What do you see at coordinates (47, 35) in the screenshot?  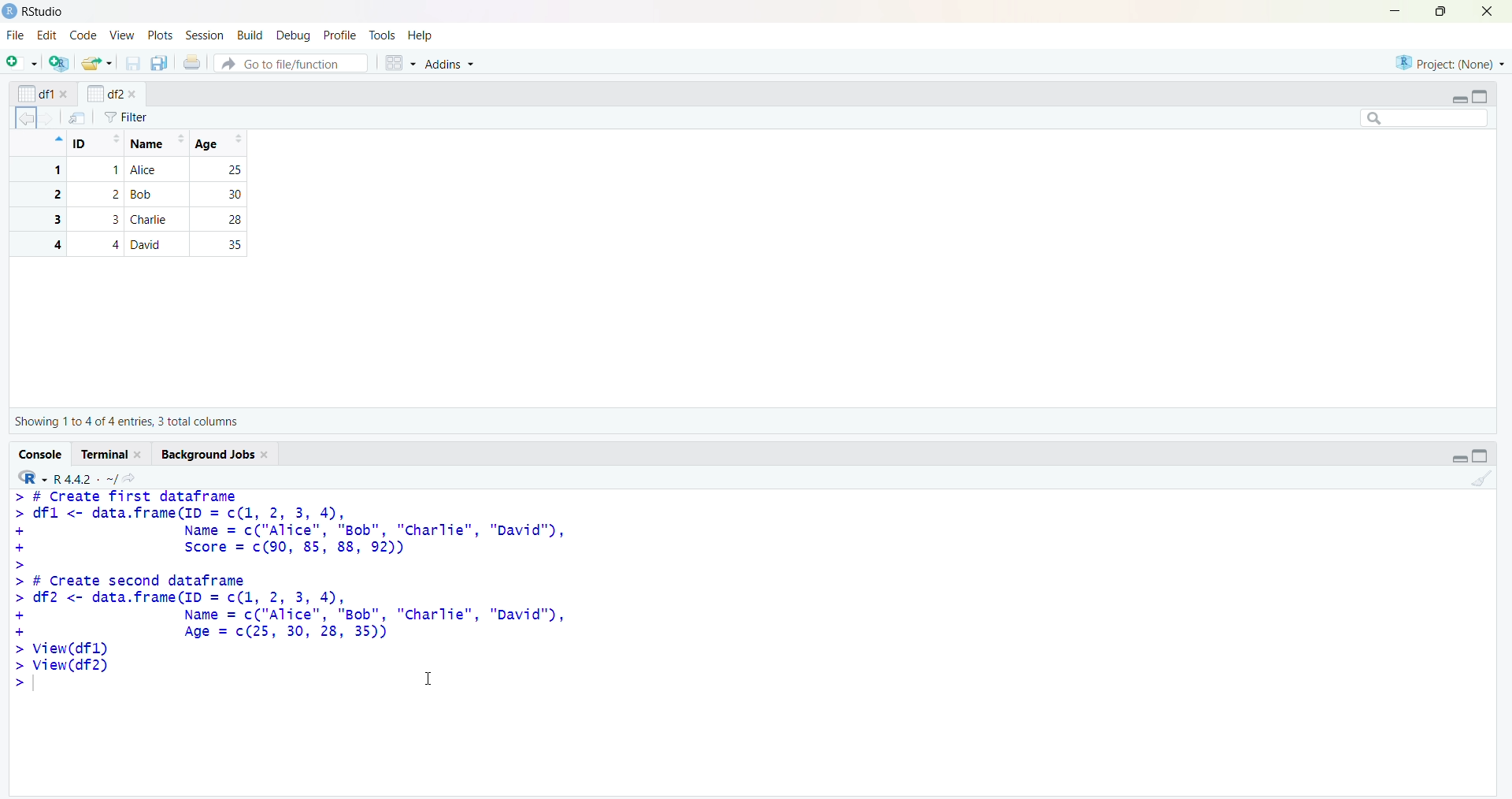 I see `edit` at bounding box center [47, 35].